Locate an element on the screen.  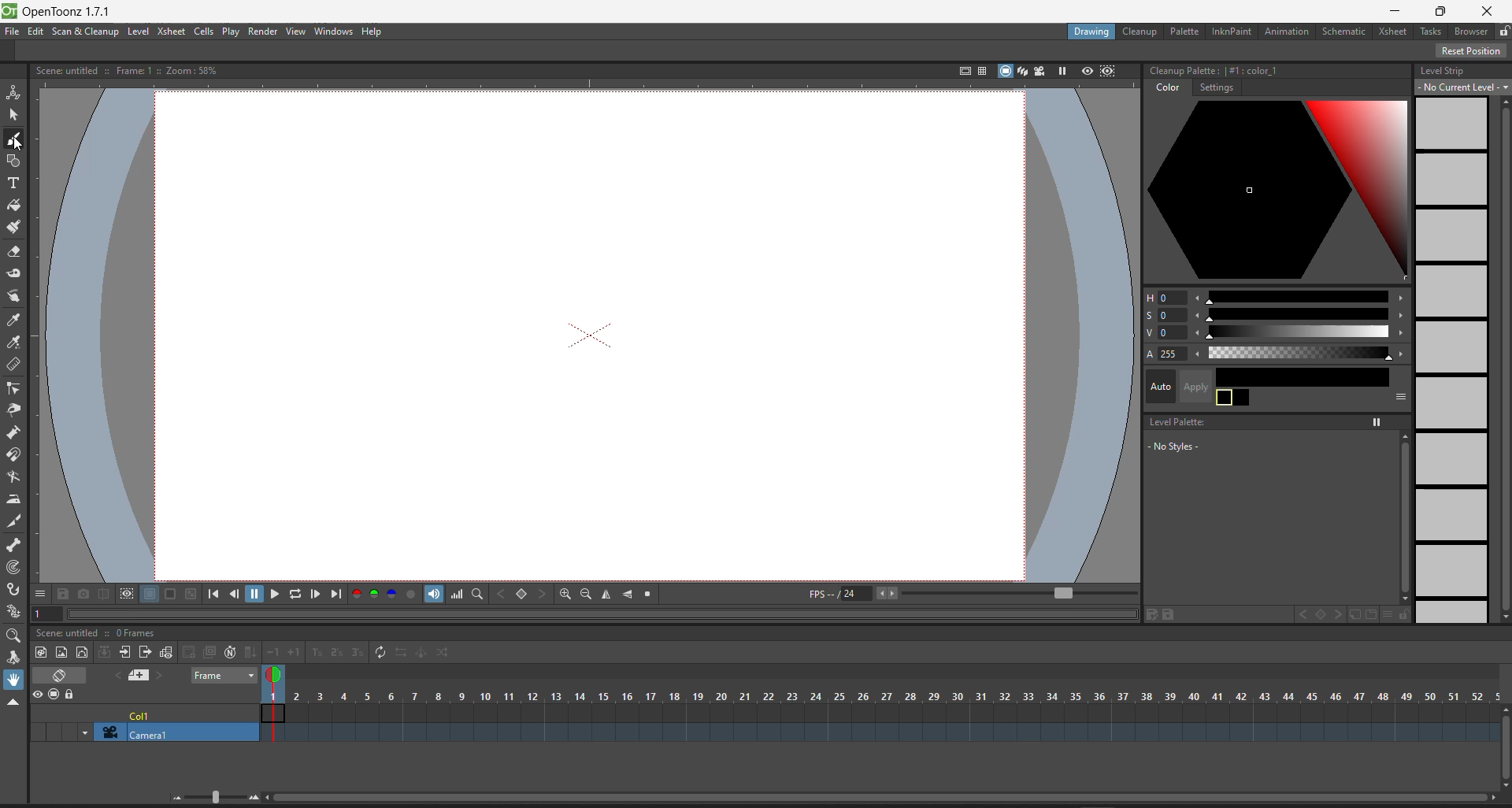
xsheet is located at coordinates (1389, 32).